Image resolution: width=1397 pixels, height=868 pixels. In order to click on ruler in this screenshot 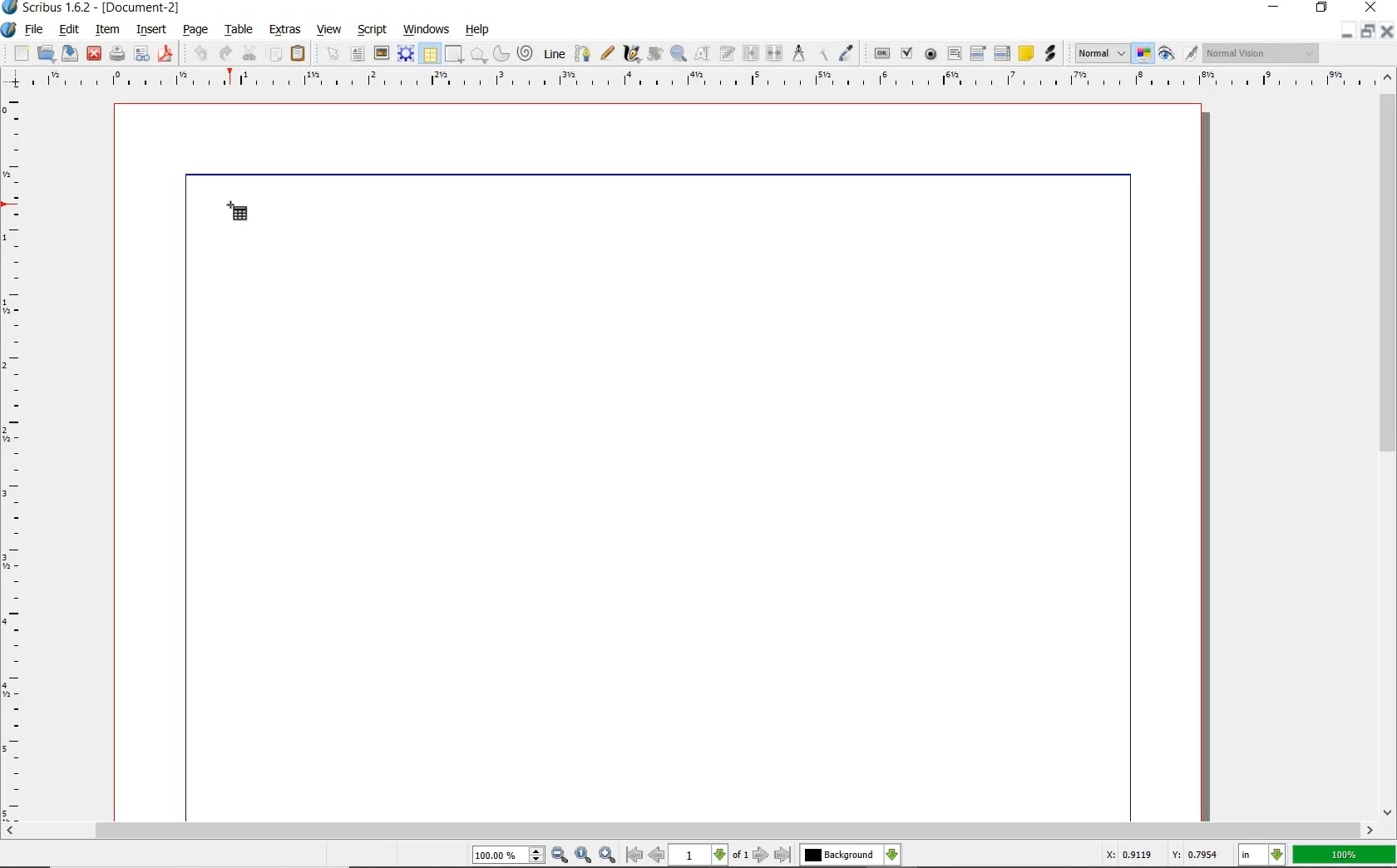, I will do `click(708, 81)`.